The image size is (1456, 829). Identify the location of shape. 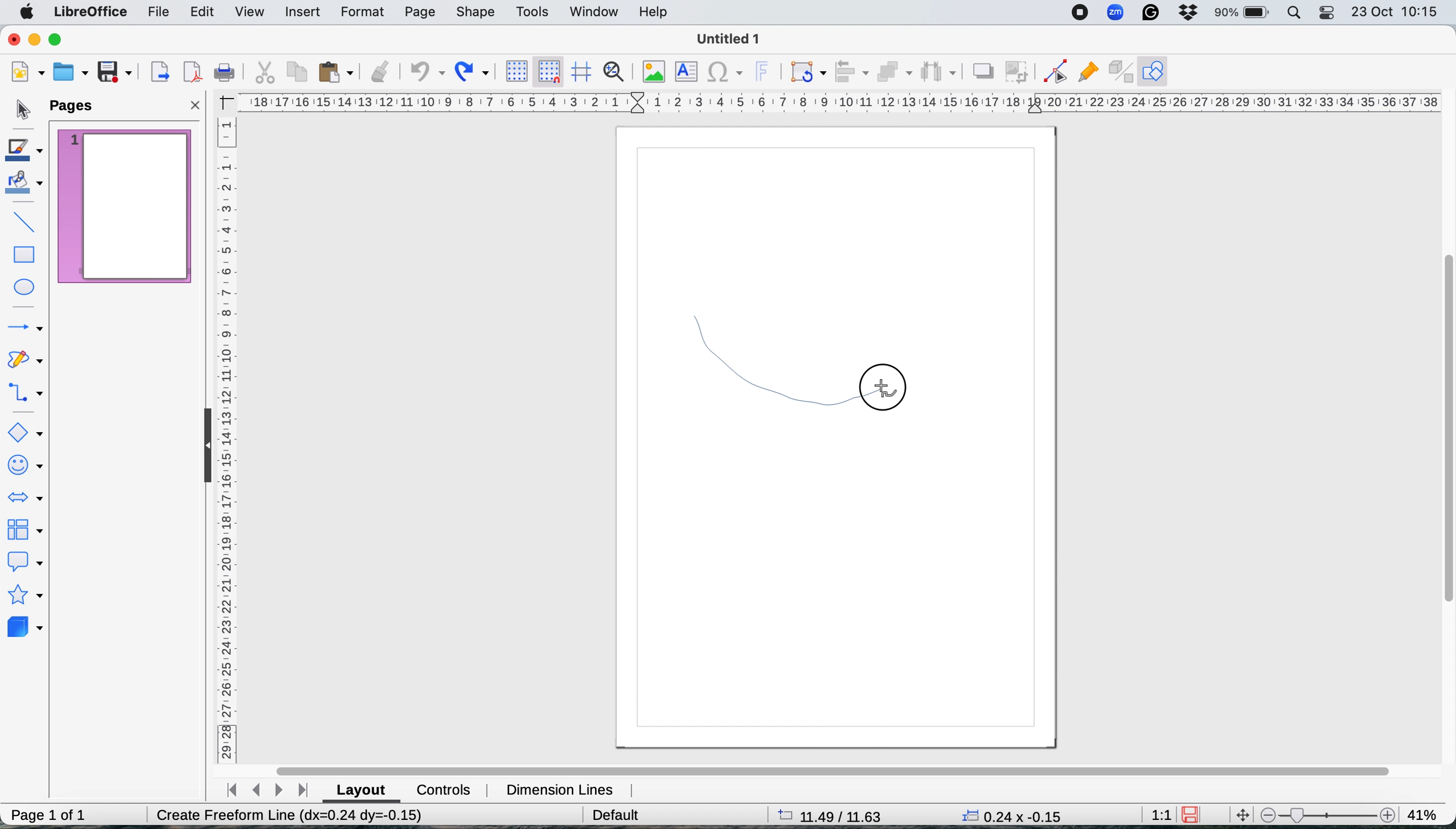
(477, 13).